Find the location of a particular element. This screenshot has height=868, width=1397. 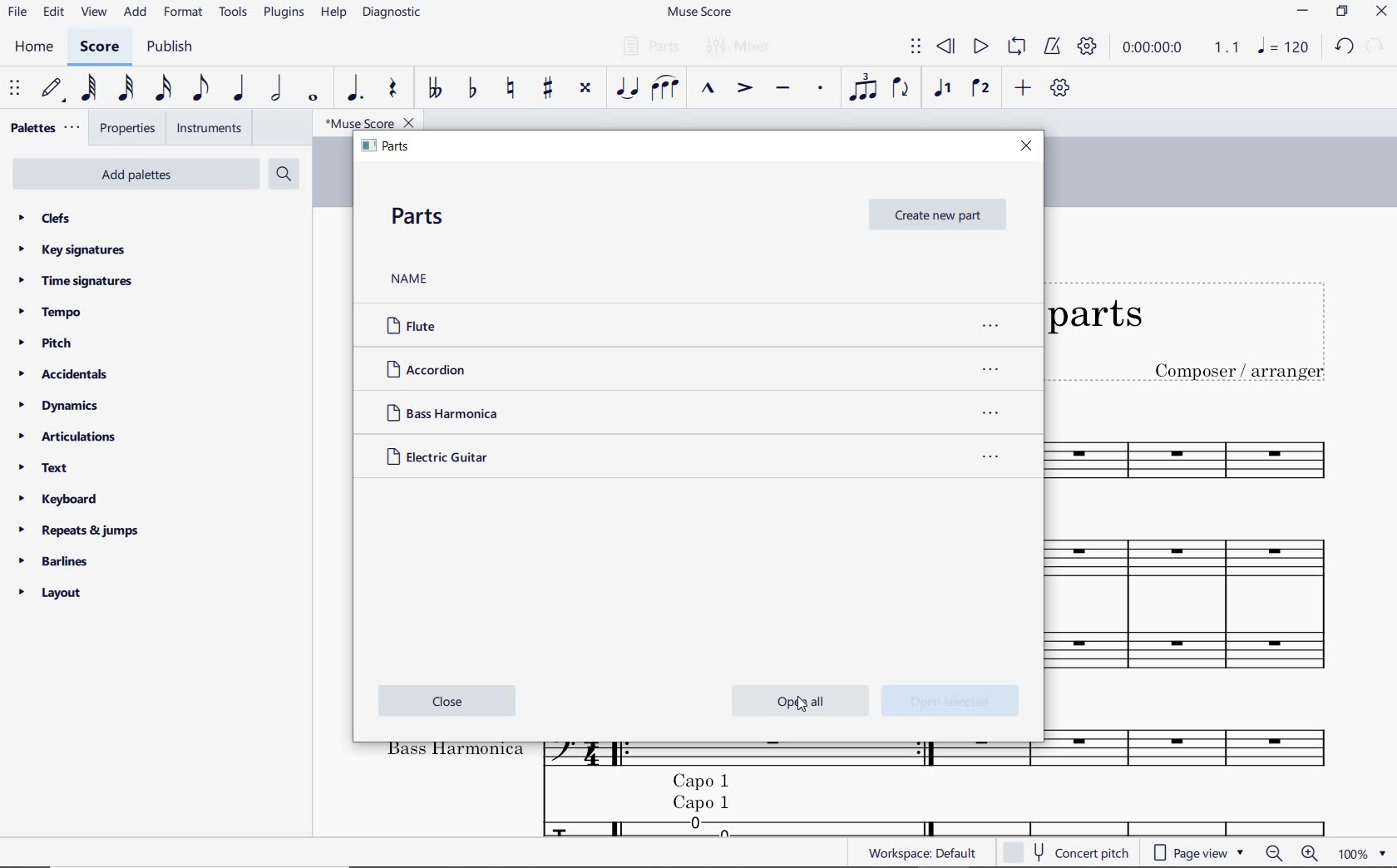

PARTS is located at coordinates (416, 218).